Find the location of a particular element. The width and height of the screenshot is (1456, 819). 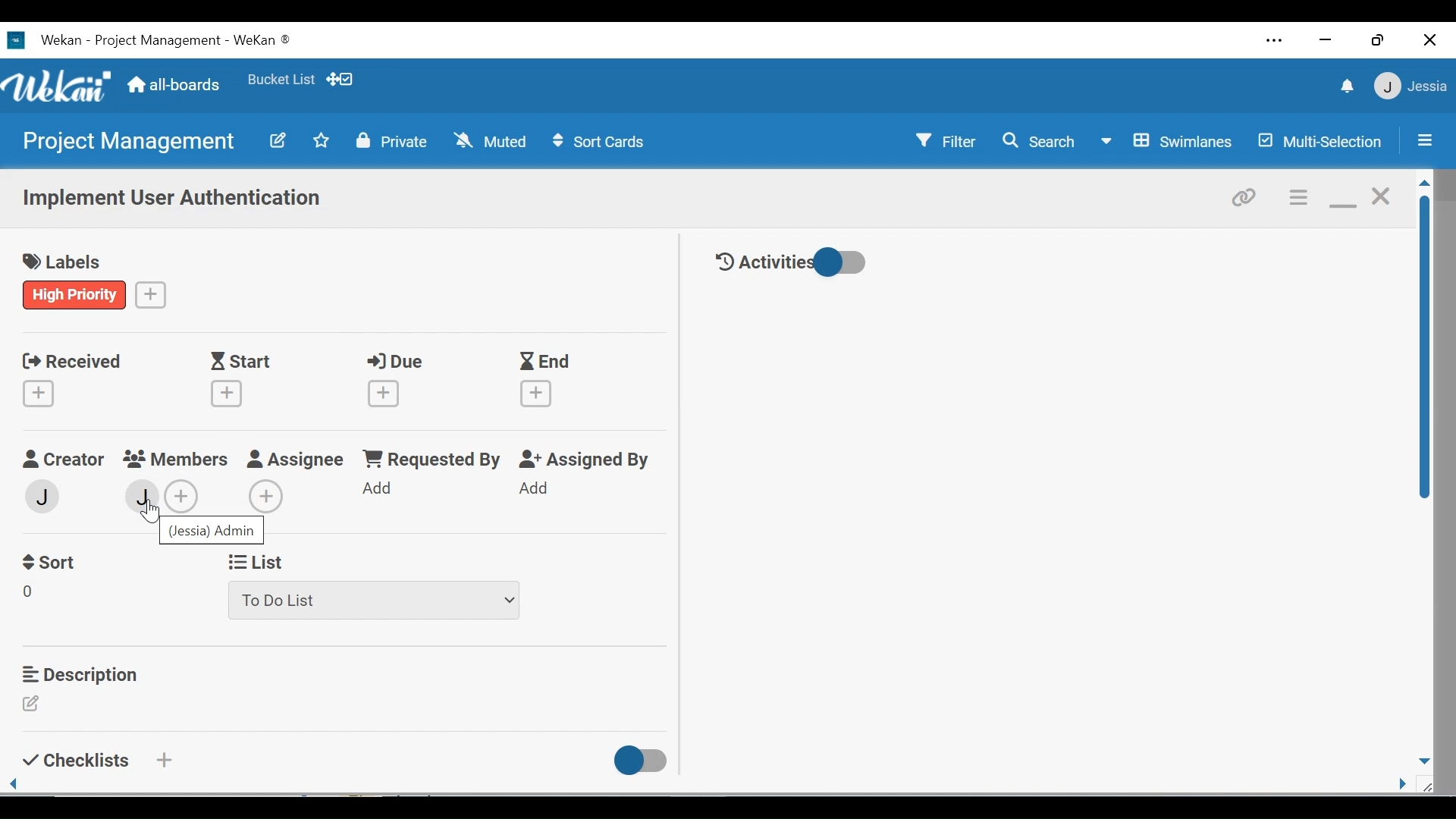

Assignee is located at coordinates (296, 458).